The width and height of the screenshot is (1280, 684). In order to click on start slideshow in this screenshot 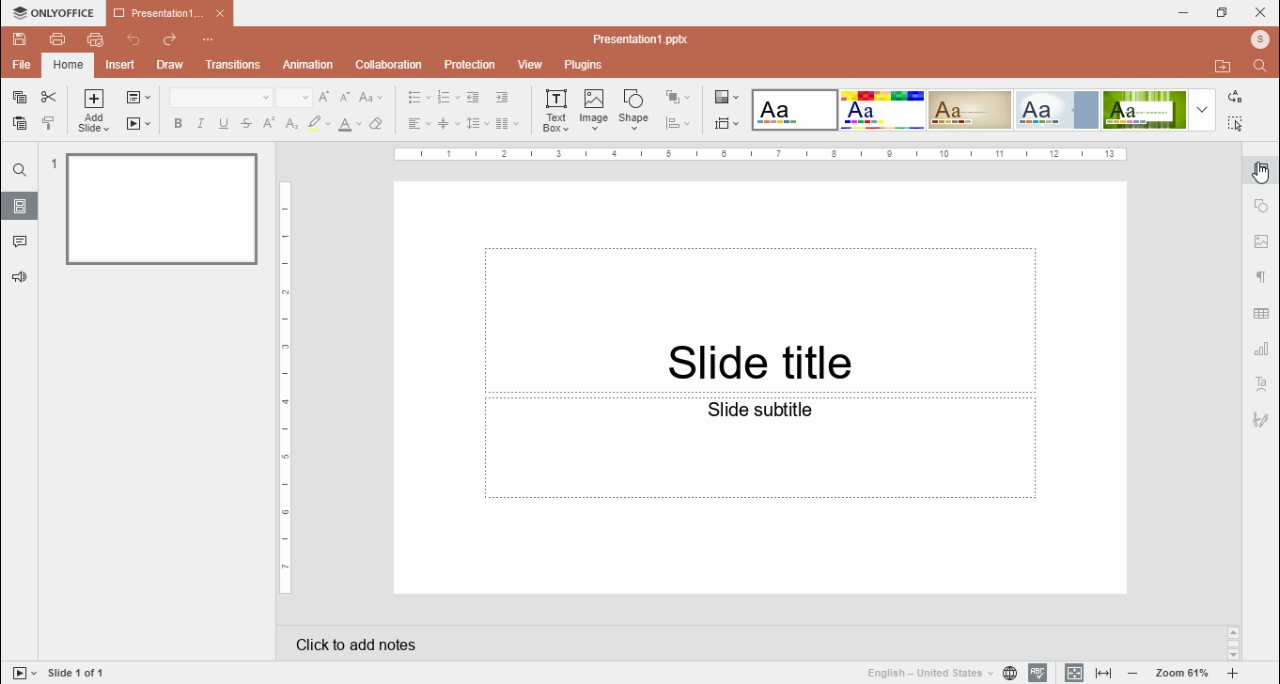, I will do `click(24, 672)`.